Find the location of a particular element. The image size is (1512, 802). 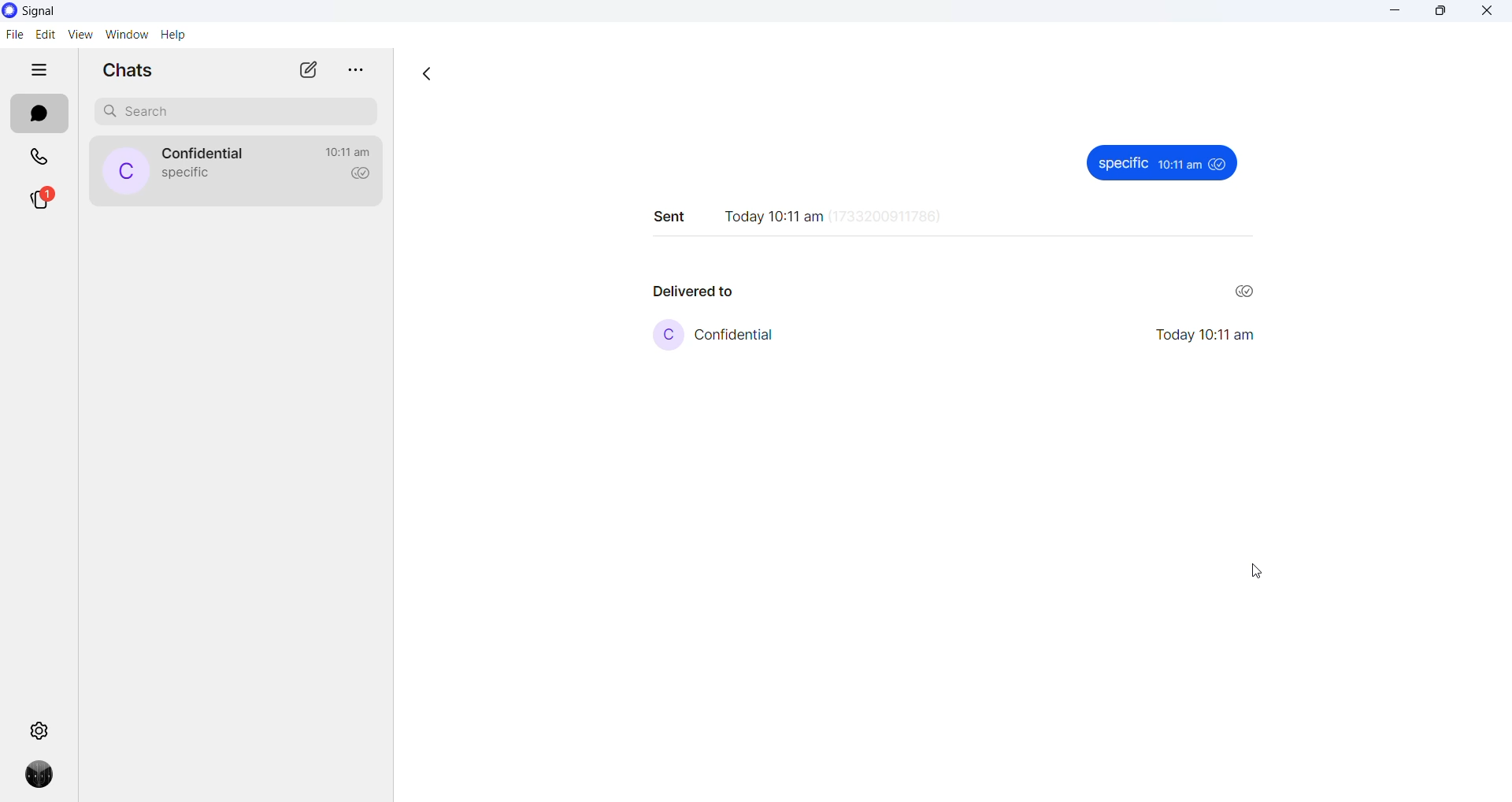

profile picture is located at coordinates (124, 171).